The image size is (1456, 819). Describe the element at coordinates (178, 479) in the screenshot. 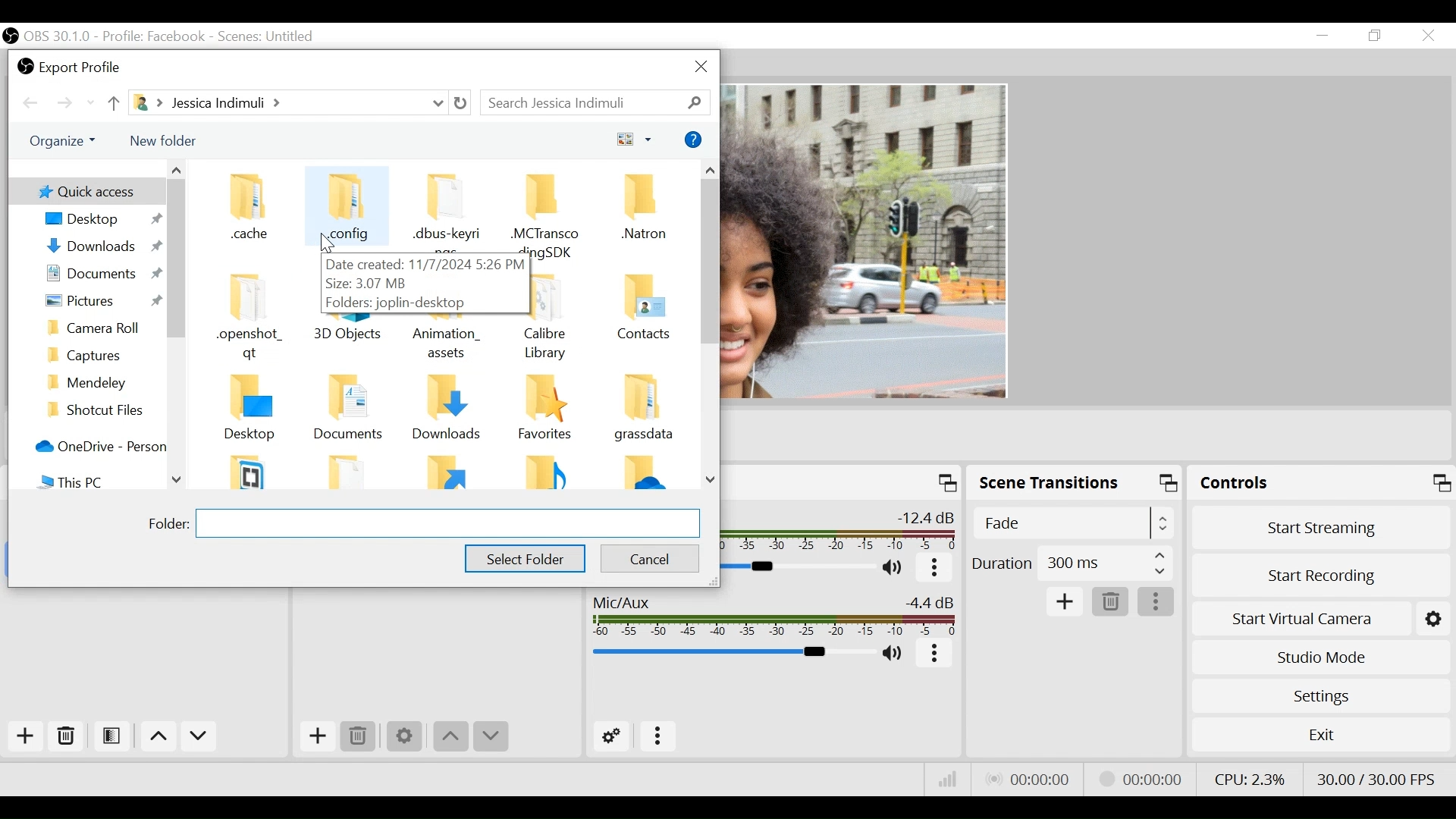

I see `Scroll down` at that location.